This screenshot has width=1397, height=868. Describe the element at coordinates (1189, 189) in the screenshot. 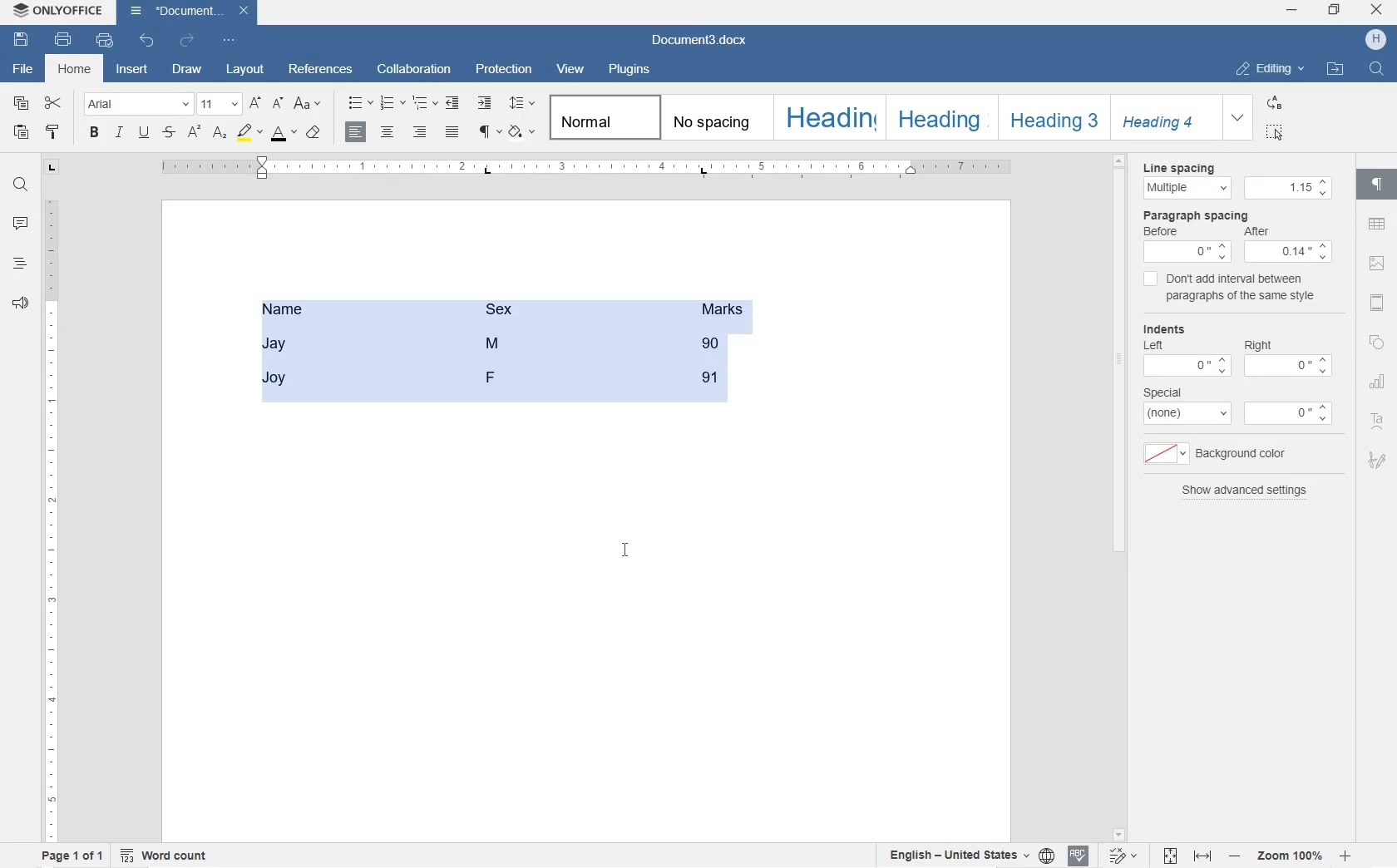

I see `Multiple` at that location.